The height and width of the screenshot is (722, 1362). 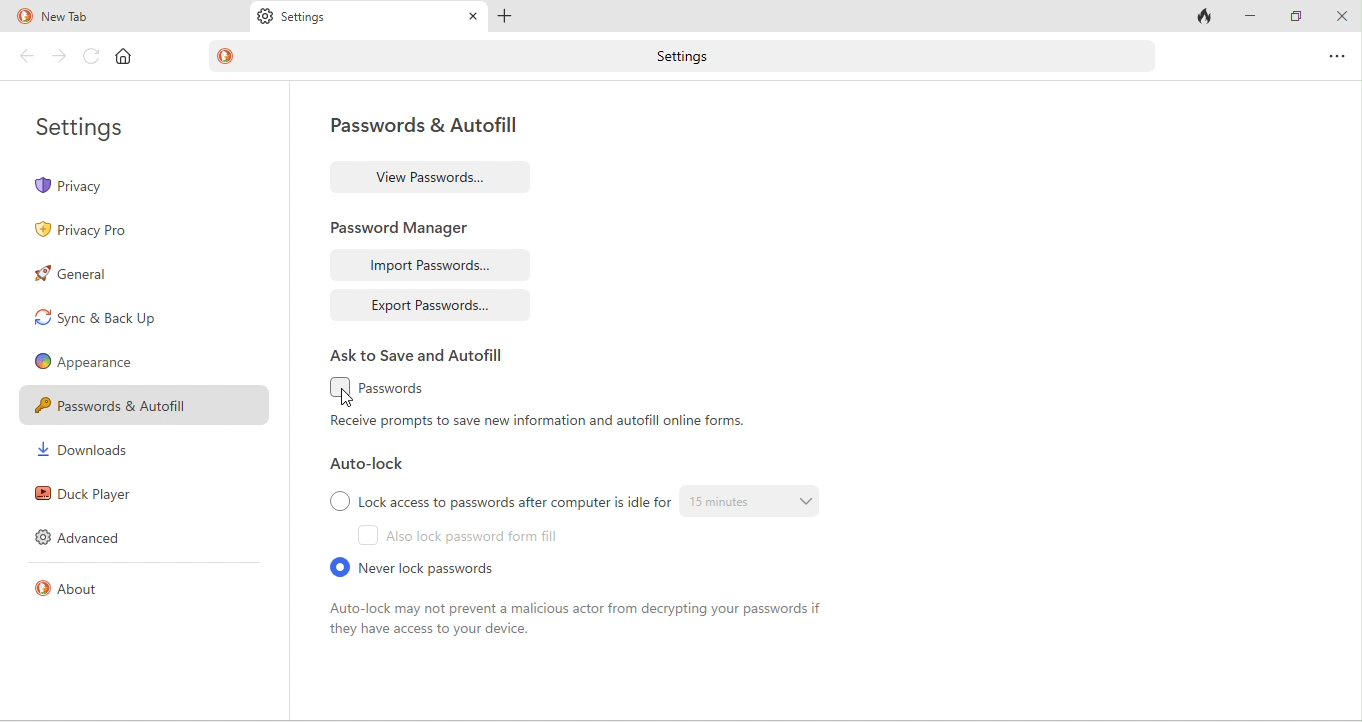 I want to click on new tab, so click(x=114, y=15).